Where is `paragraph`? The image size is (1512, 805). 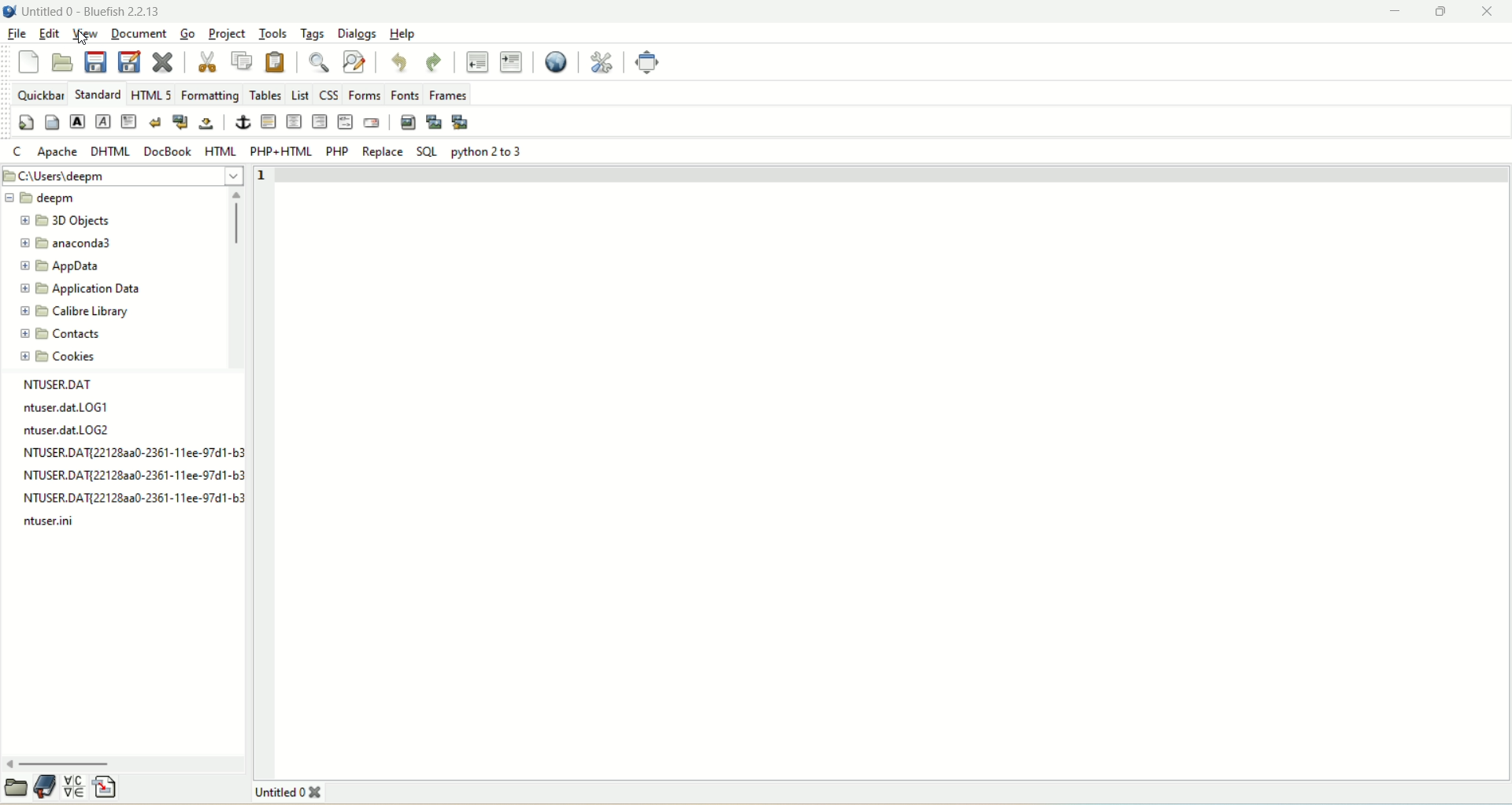
paragraph is located at coordinates (128, 121).